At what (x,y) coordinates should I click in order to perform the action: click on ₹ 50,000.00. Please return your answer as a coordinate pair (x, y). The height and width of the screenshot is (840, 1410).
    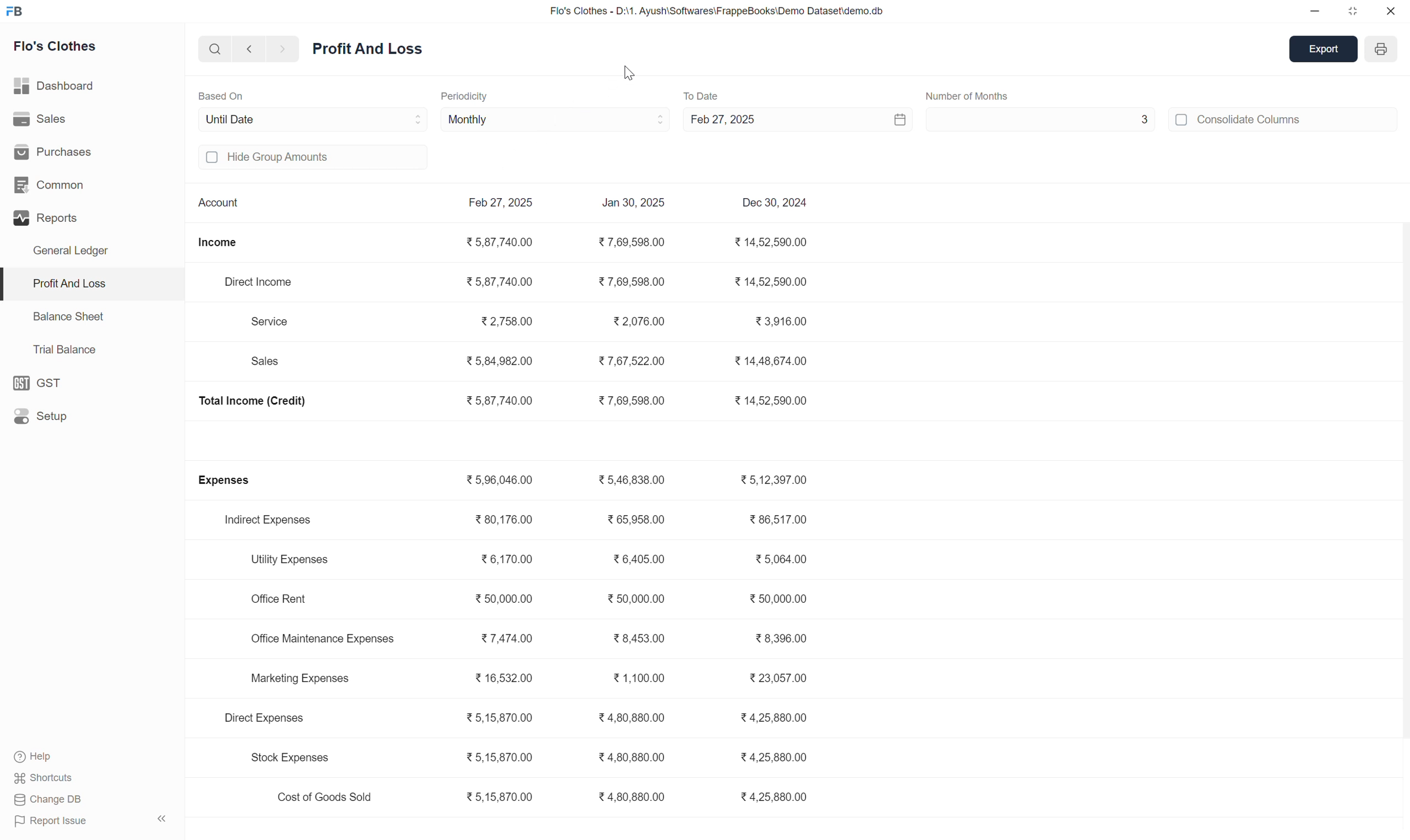
    Looking at the image, I should click on (502, 601).